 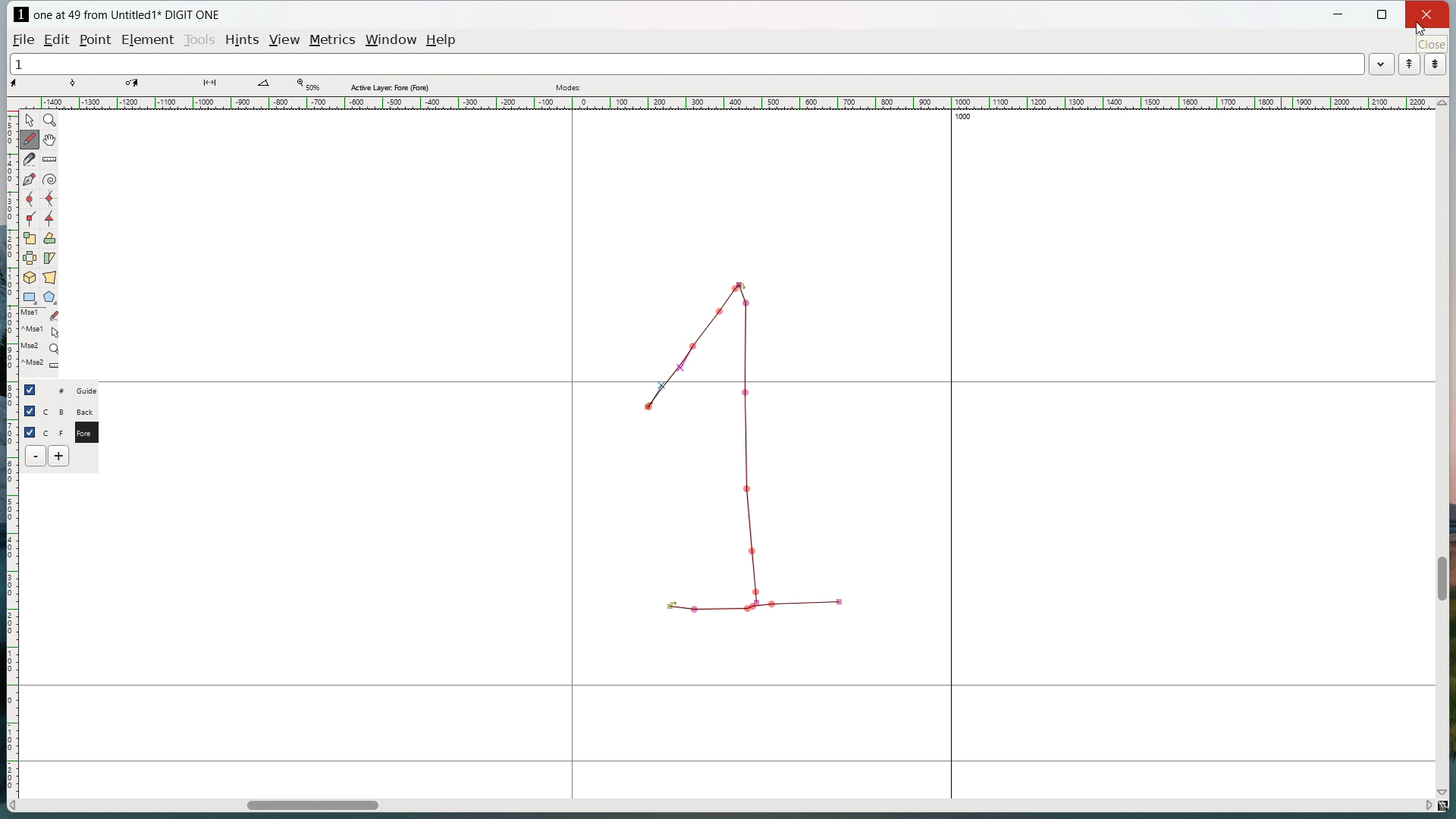 I want to click on delete layer, so click(x=36, y=456).